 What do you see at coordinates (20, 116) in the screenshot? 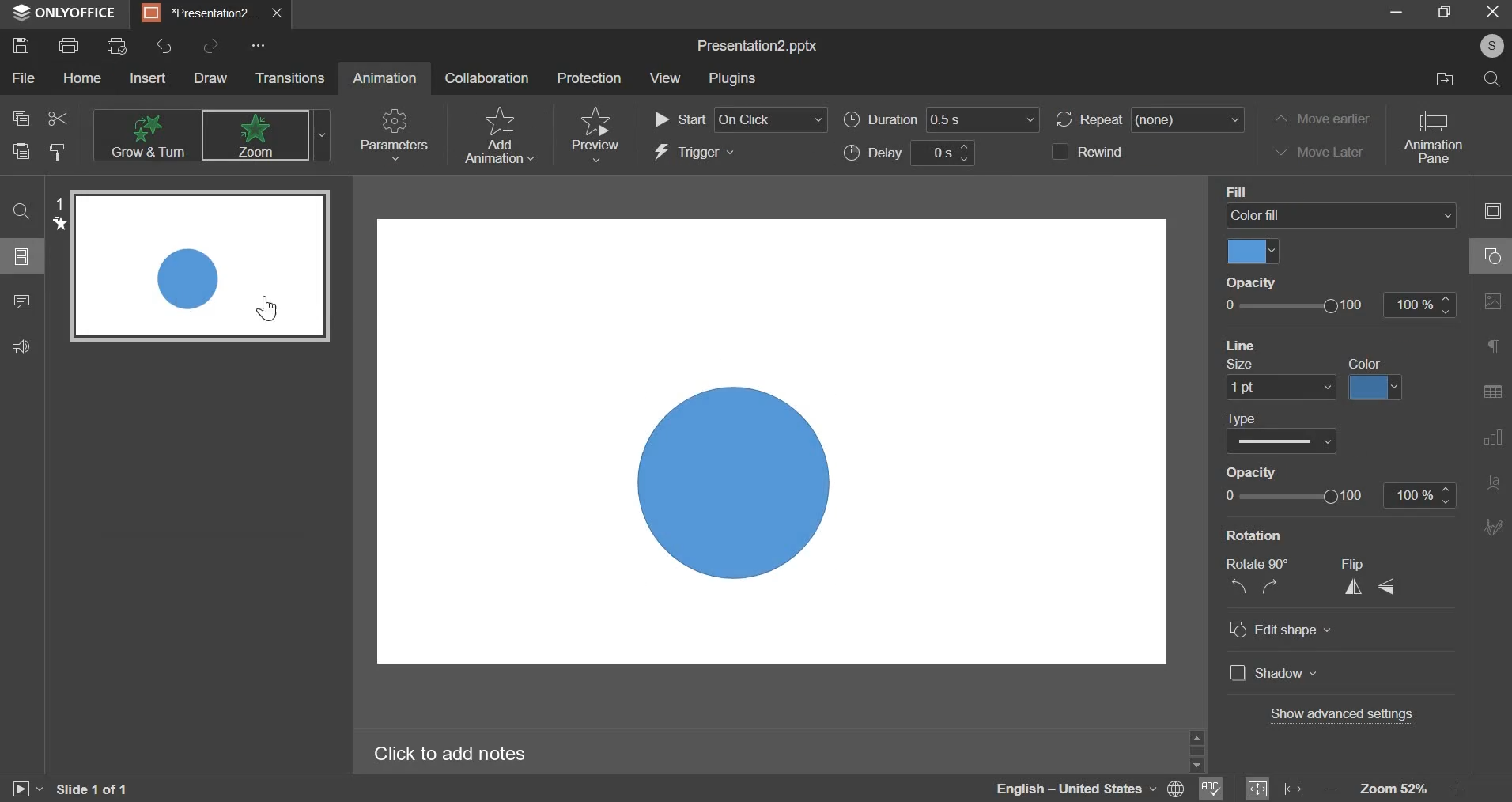
I see `copy` at bounding box center [20, 116].